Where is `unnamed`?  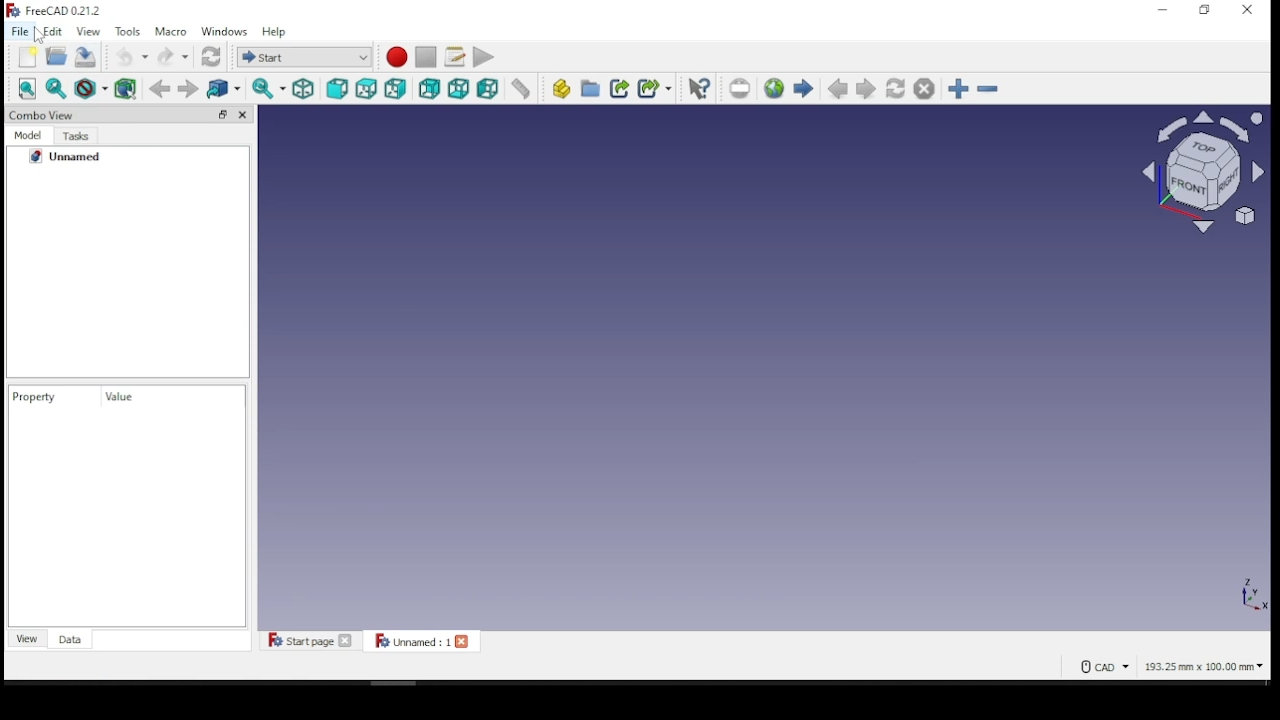 unnamed is located at coordinates (80, 159).